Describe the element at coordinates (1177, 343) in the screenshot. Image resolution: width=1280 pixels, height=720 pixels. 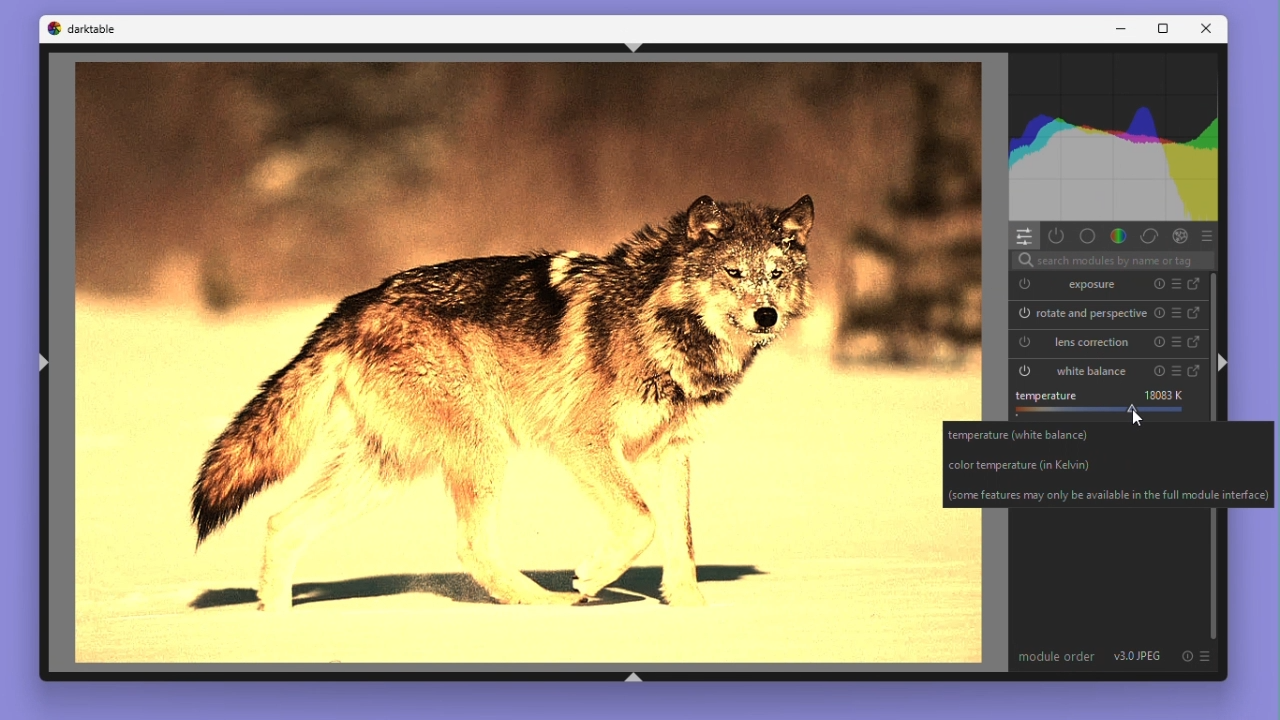
I see `Preset` at that location.